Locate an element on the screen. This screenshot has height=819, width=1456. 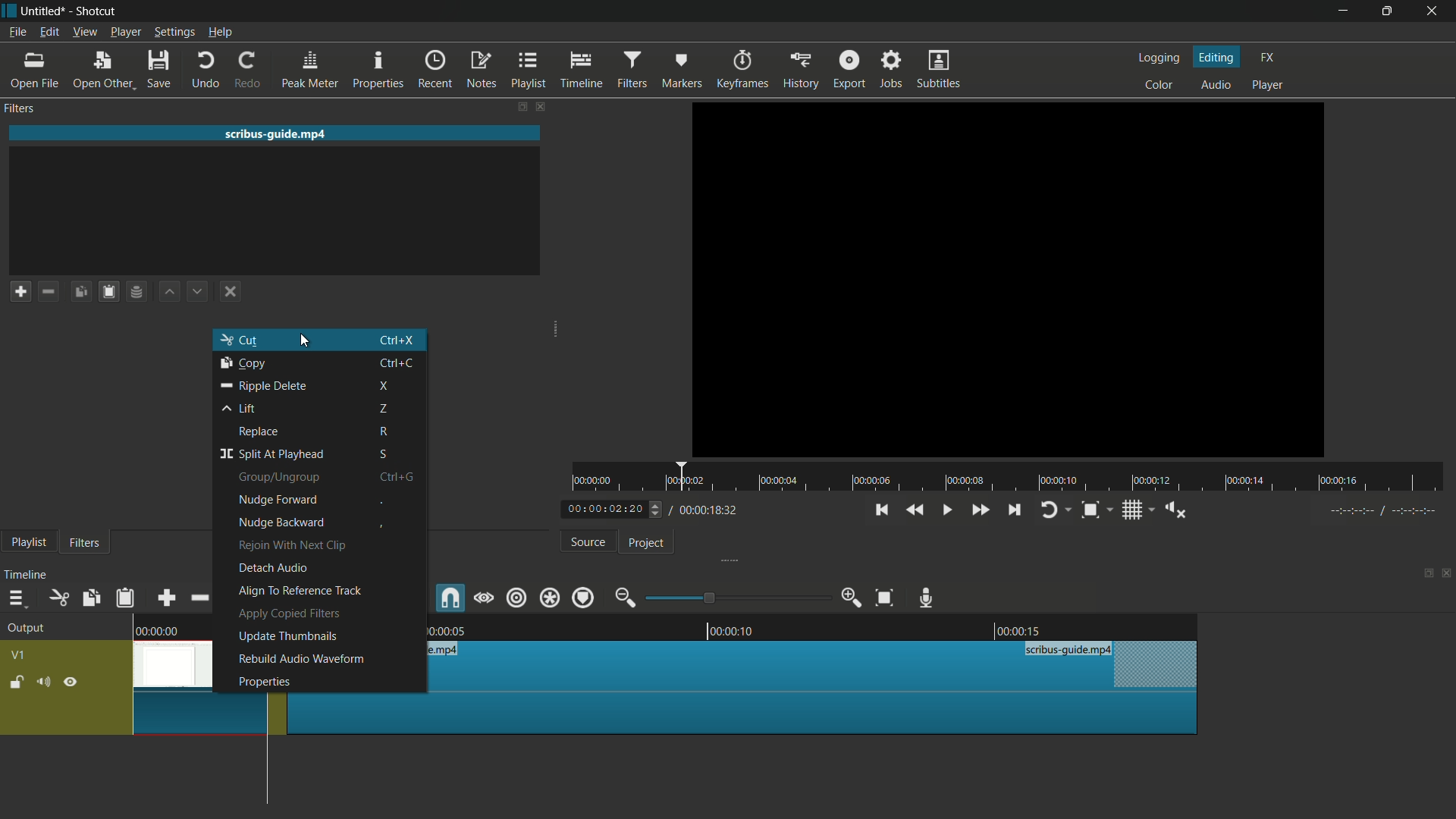
source is located at coordinates (588, 542).